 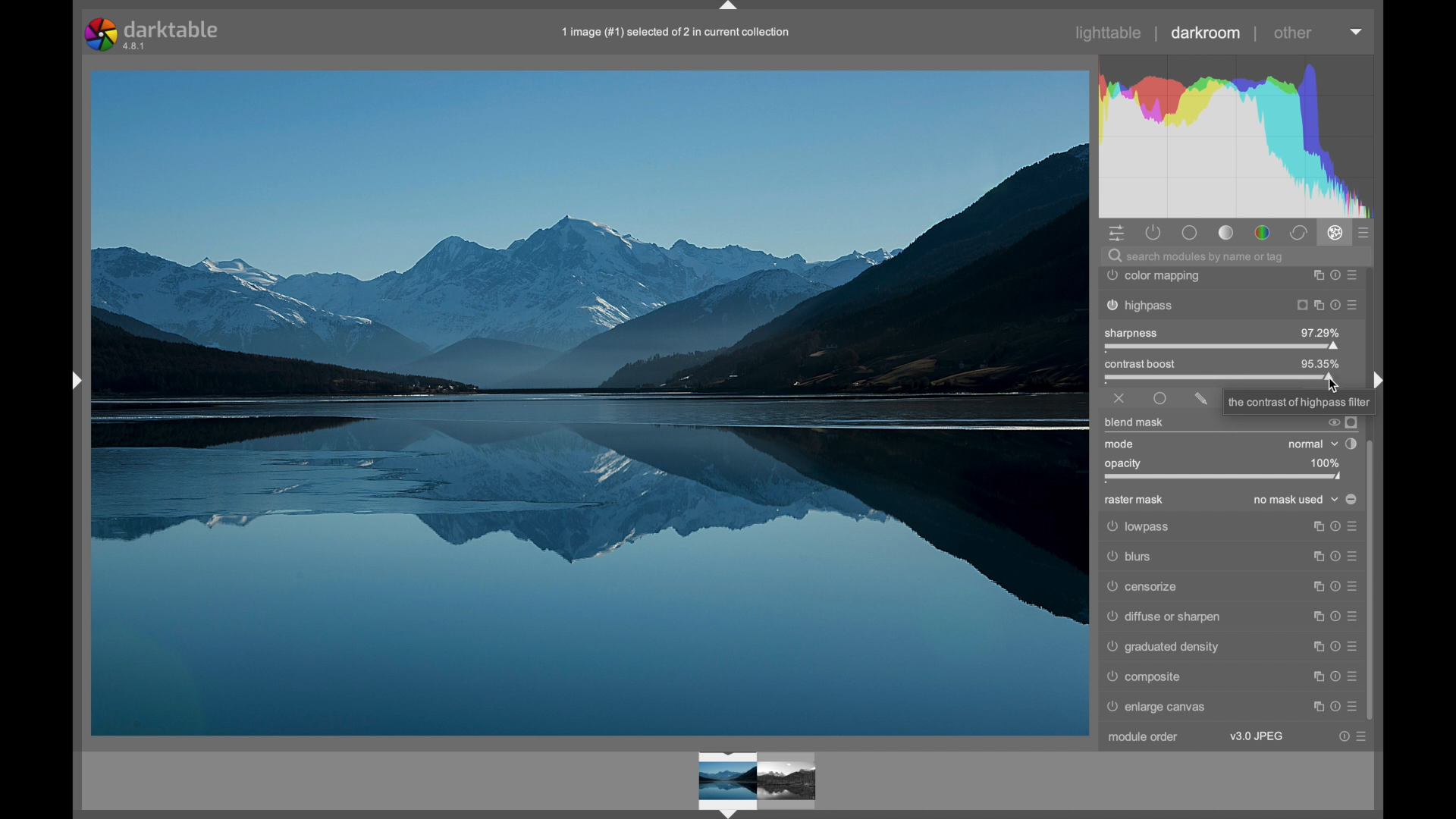 What do you see at coordinates (1206, 33) in the screenshot?
I see `darkroom` at bounding box center [1206, 33].